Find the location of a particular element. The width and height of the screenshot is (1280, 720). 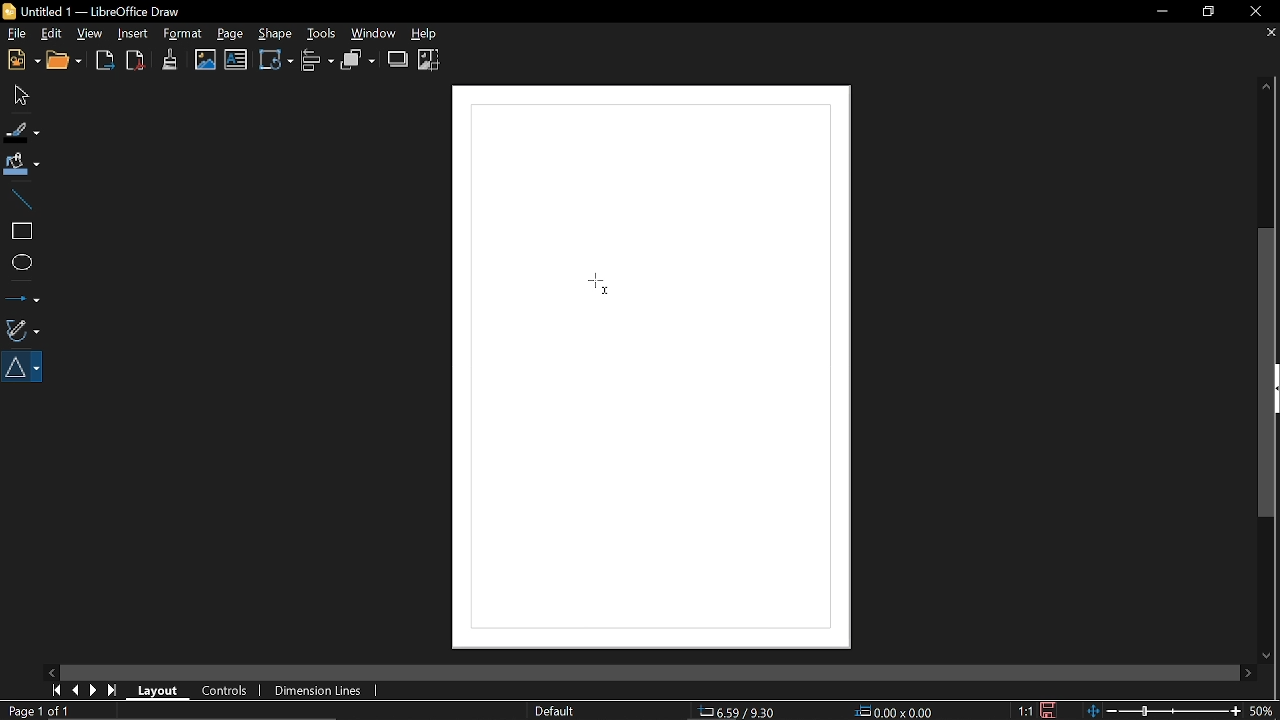

dimension lines is located at coordinates (316, 692).